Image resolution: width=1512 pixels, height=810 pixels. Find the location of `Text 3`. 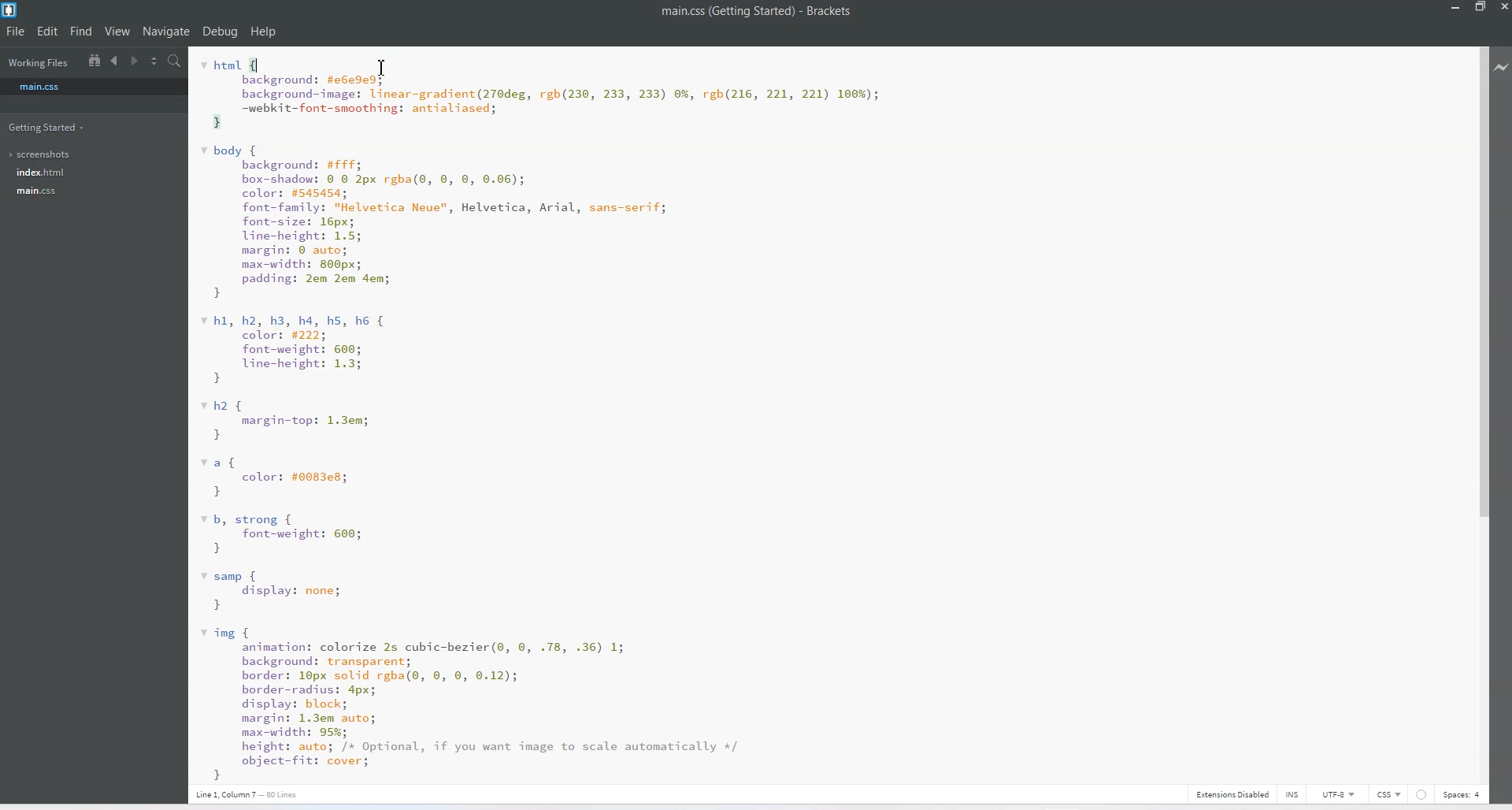

Text 3 is located at coordinates (252, 794).